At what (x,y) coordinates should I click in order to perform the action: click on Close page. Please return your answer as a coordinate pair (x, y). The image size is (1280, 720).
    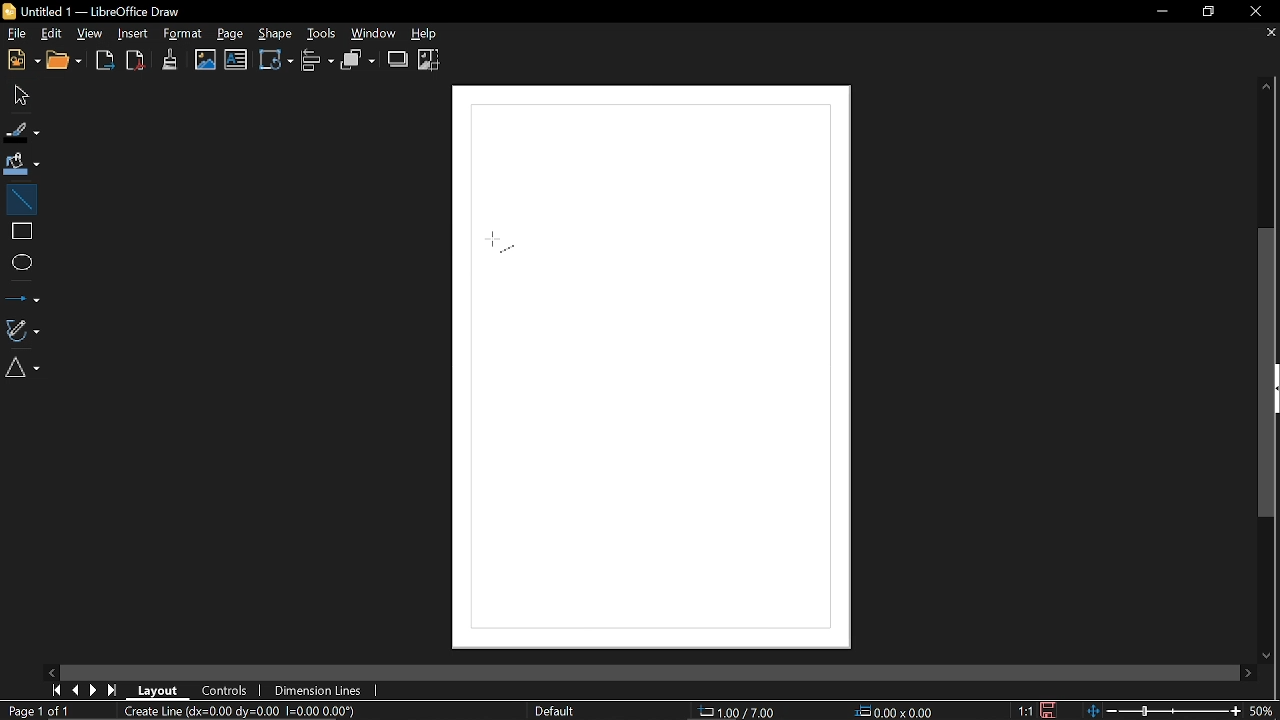
    Looking at the image, I should click on (1266, 34).